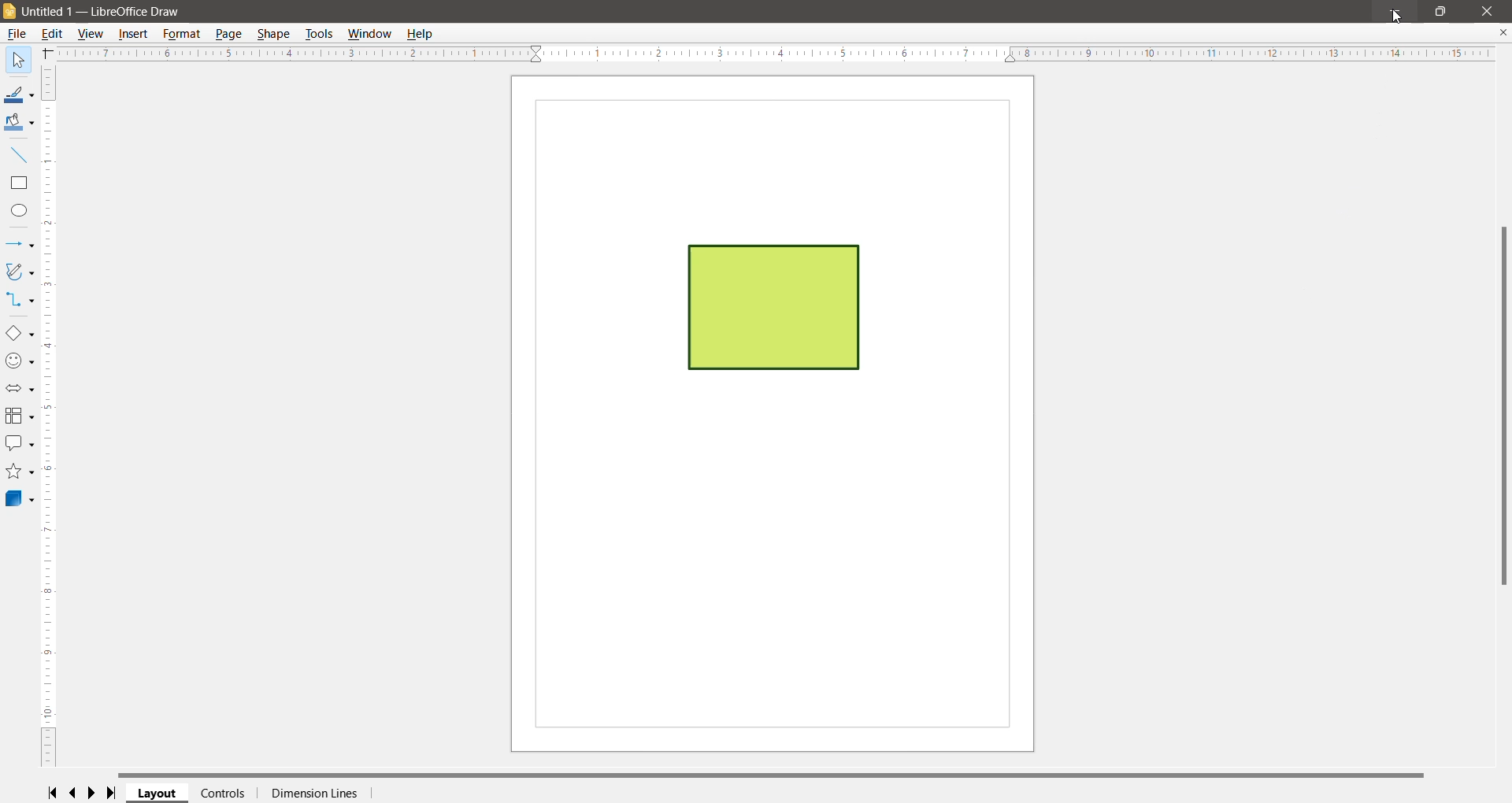 This screenshot has height=803, width=1512. Describe the element at coordinates (15, 35) in the screenshot. I see `File` at that location.